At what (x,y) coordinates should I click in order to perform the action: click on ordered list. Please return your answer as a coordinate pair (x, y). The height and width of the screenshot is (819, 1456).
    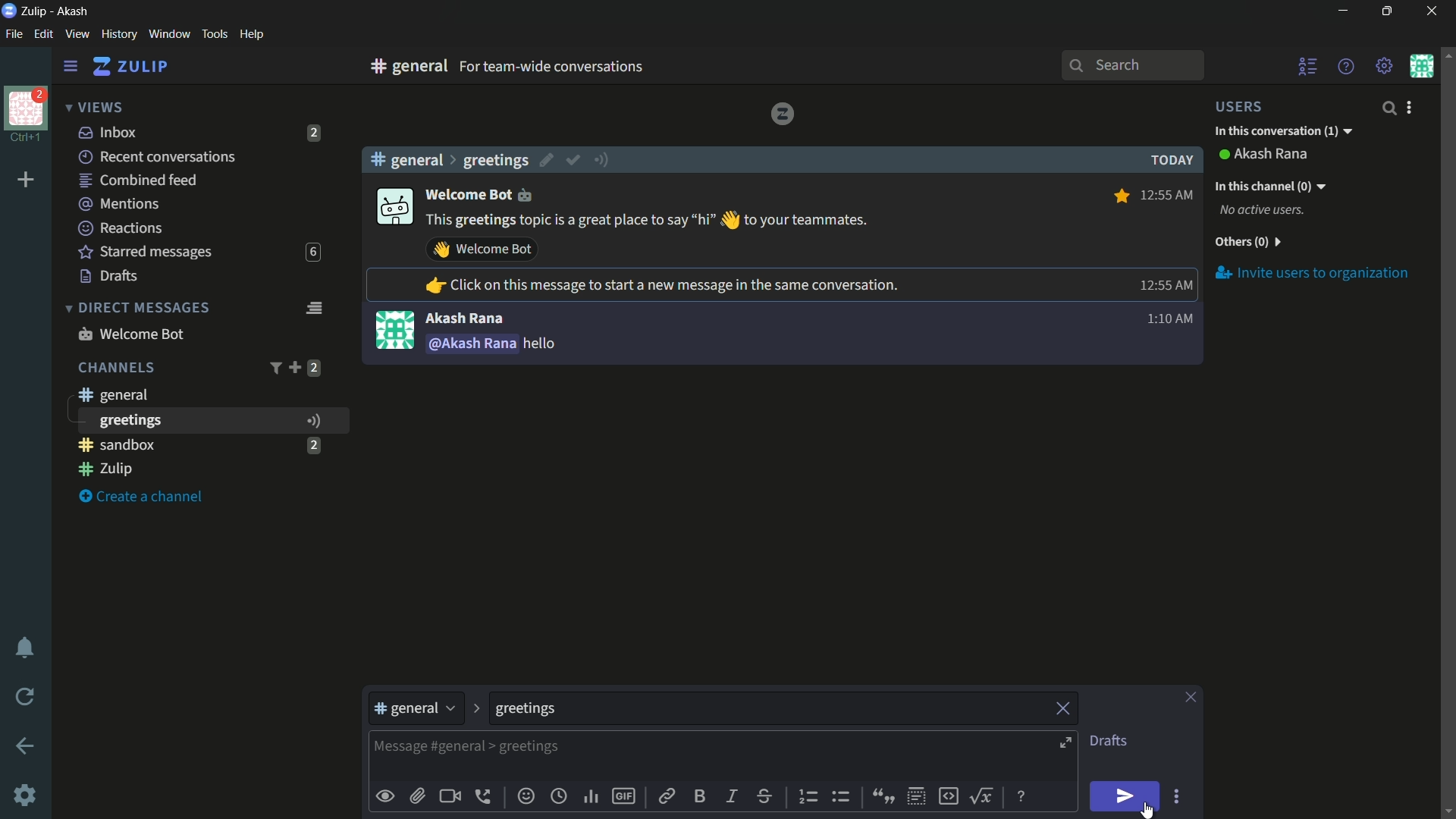
    Looking at the image, I should click on (811, 797).